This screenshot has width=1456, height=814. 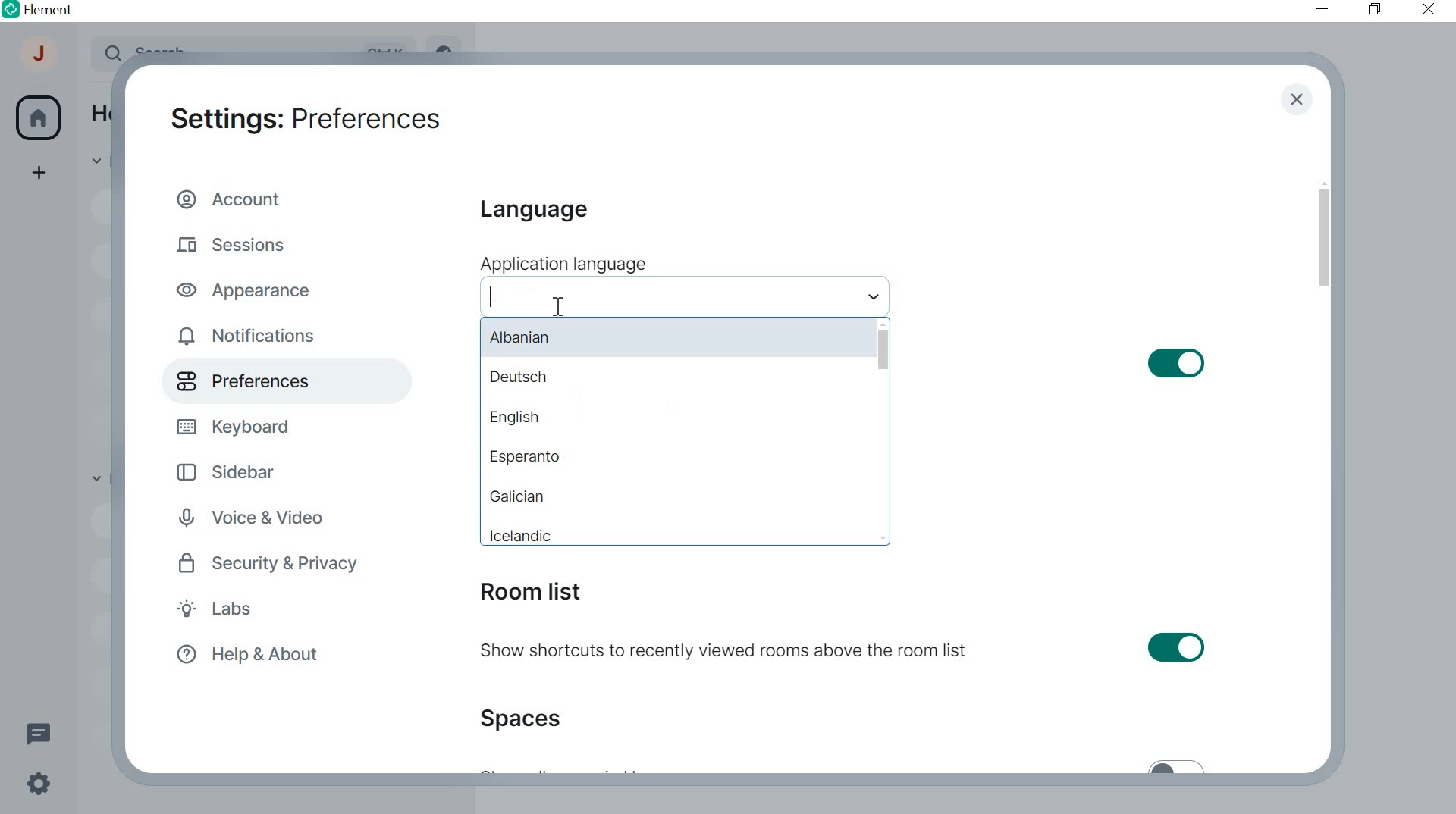 What do you see at coordinates (529, 592) in the screenshot?
I see `Room List` at bounding box center [529, 592].